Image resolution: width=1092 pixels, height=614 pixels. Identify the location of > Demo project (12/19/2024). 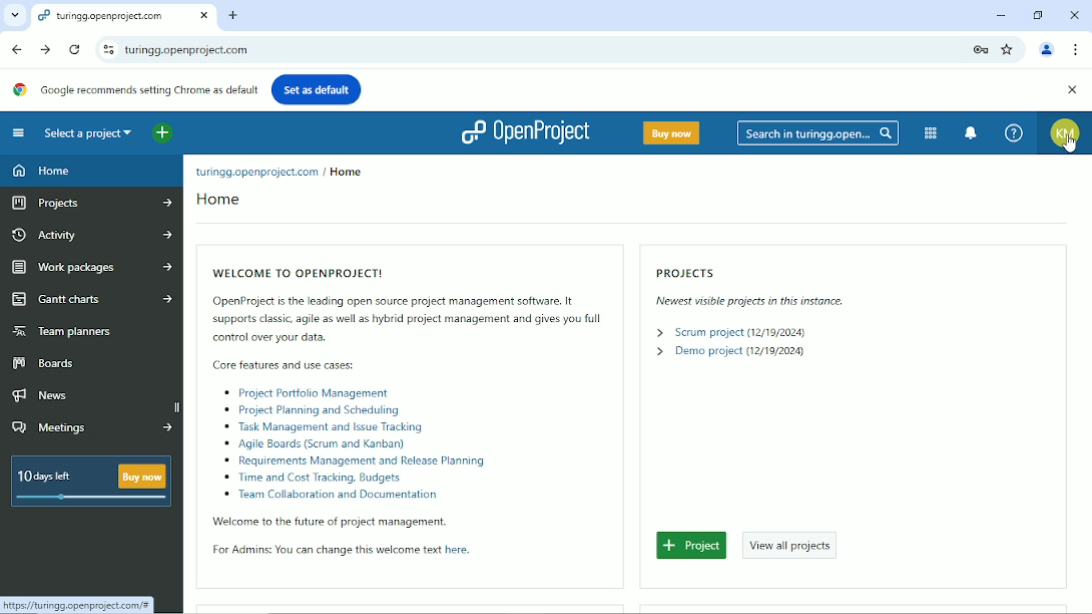
(727, 352).